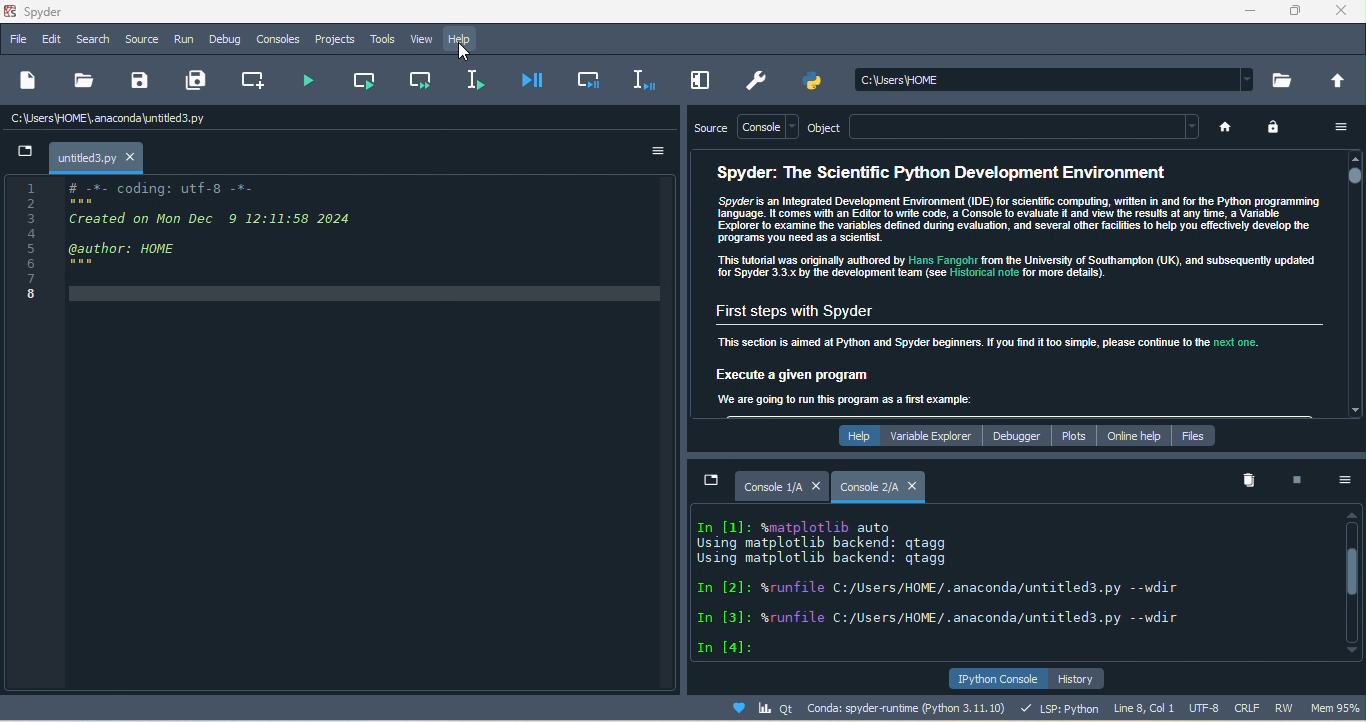  Describe the element at coordinates (976, 583) in the screenshot. I see `text` at that location.